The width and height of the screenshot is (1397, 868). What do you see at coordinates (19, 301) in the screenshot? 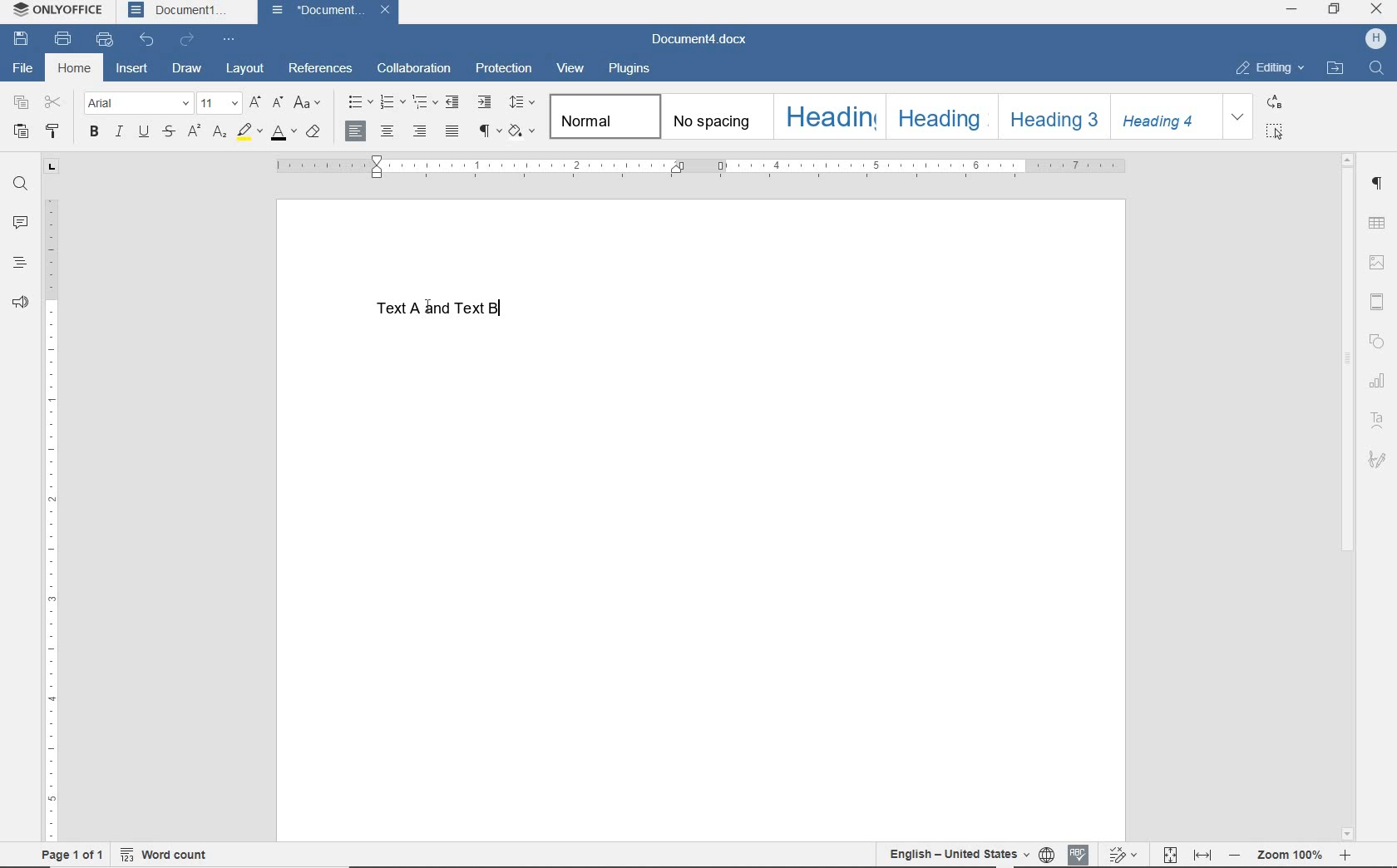
I see `FEEDBACK & SUPPORT` at bounding box center [19, 301].